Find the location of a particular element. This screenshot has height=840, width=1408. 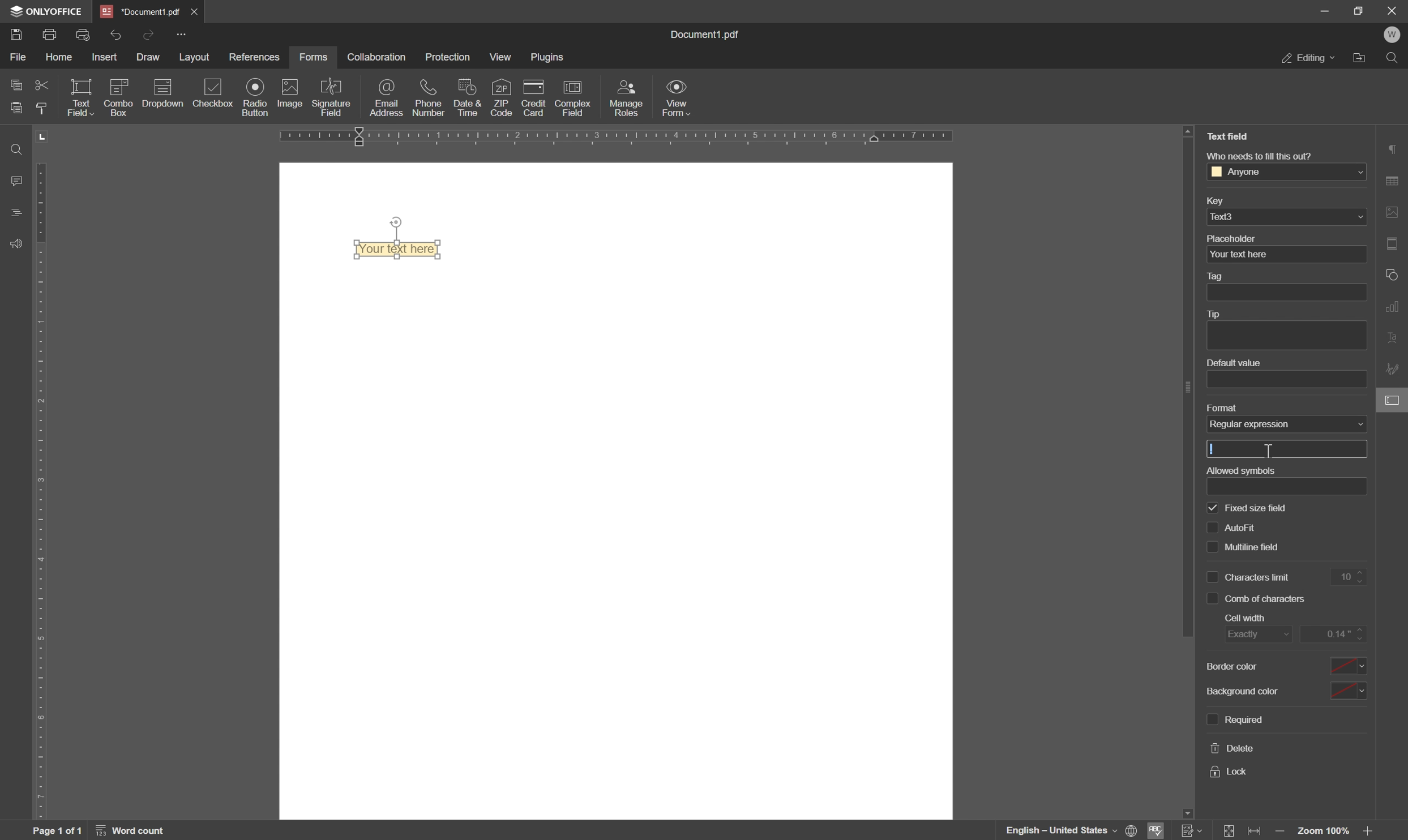

copy style is located at coordinates (45, 108).